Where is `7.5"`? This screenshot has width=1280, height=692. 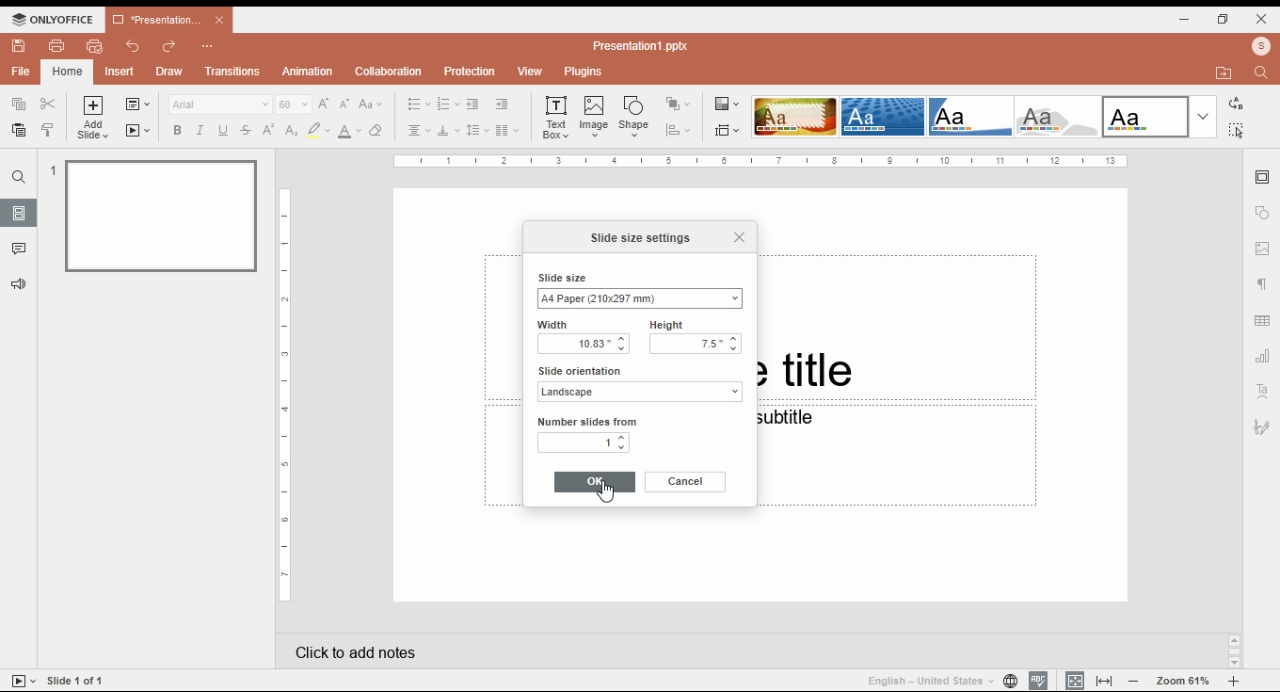 7.5" is located at coordinates (695, 345).